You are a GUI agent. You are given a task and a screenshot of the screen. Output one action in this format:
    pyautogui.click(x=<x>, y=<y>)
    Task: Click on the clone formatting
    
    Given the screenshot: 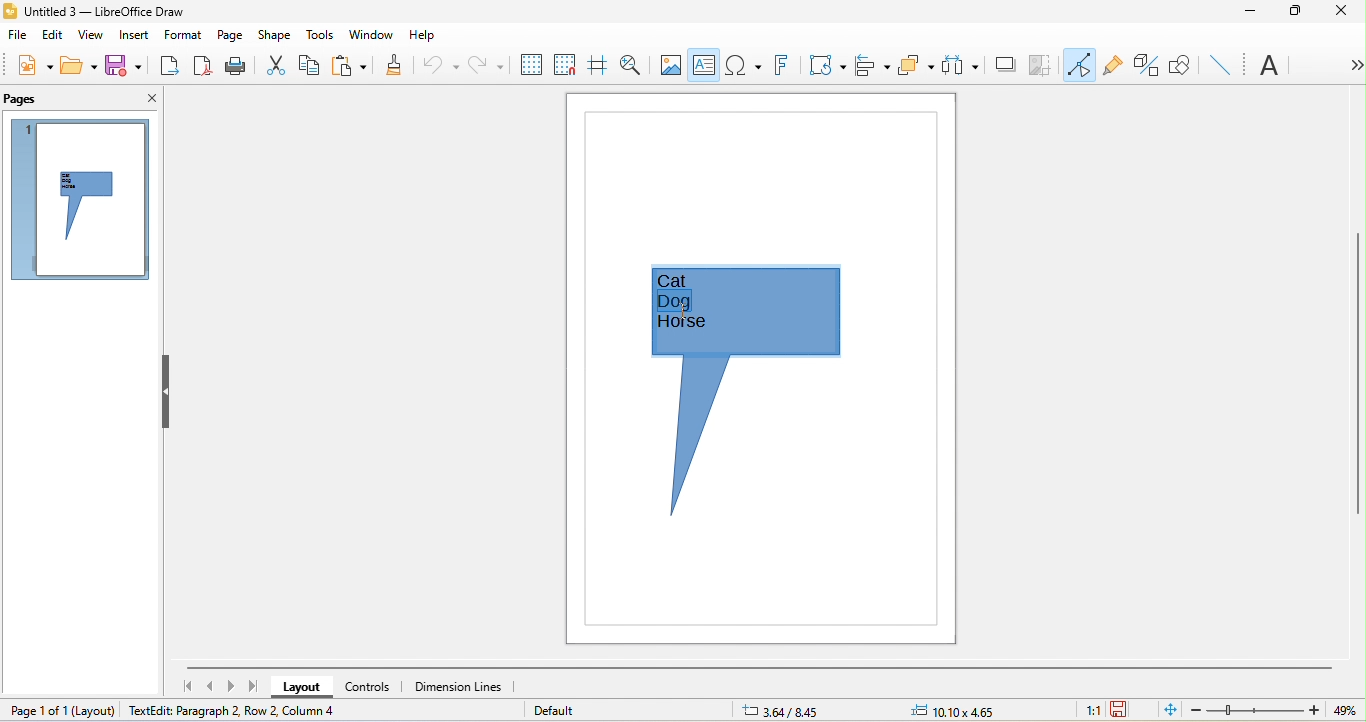 What is the action you would take?
    pyautogui.click(x=389, y=67)
    